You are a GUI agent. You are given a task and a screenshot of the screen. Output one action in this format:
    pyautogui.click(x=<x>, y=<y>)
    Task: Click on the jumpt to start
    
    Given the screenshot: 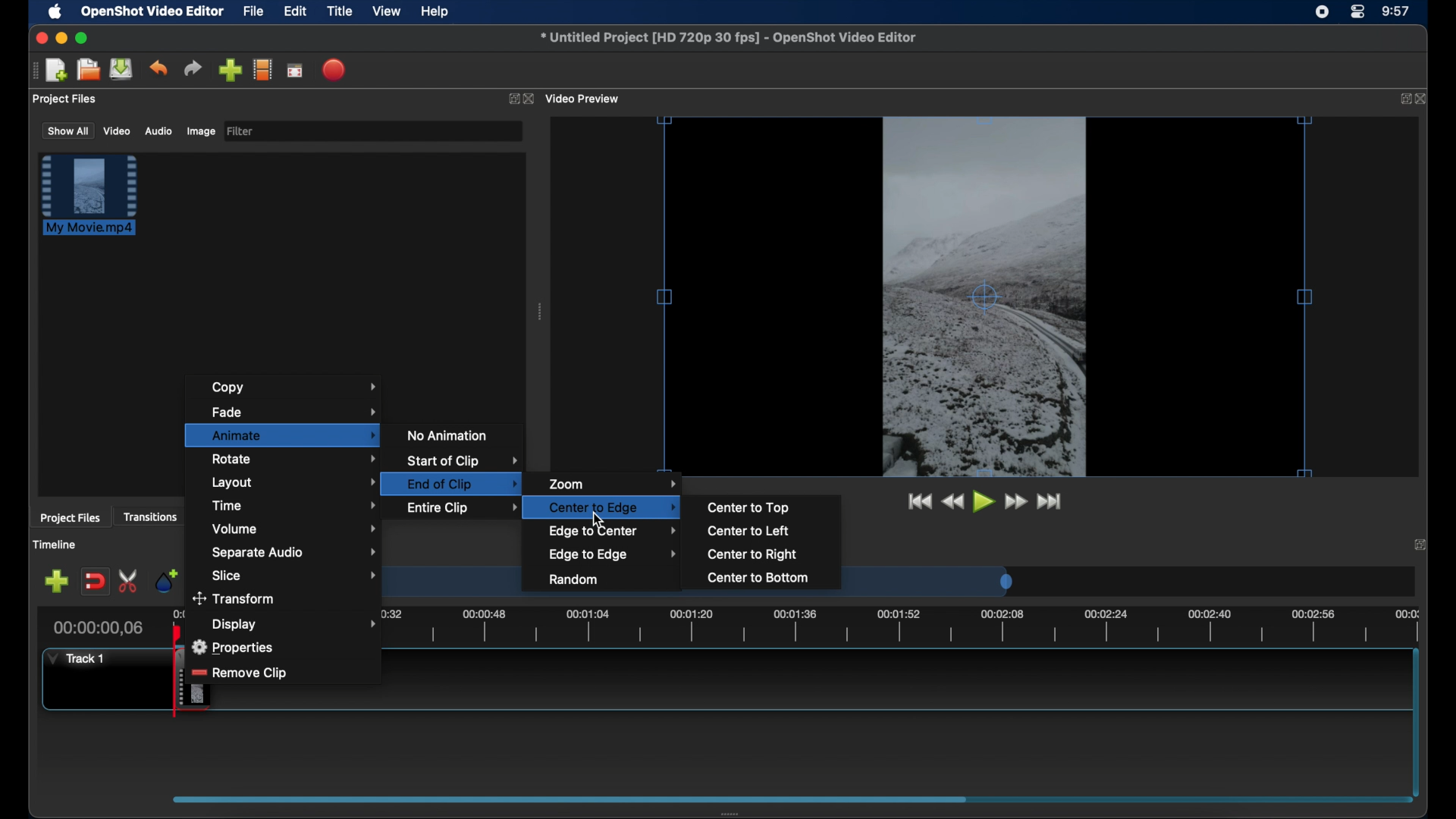 What is the action you would take?
    pyautogui.click(x=918, y=501)
    